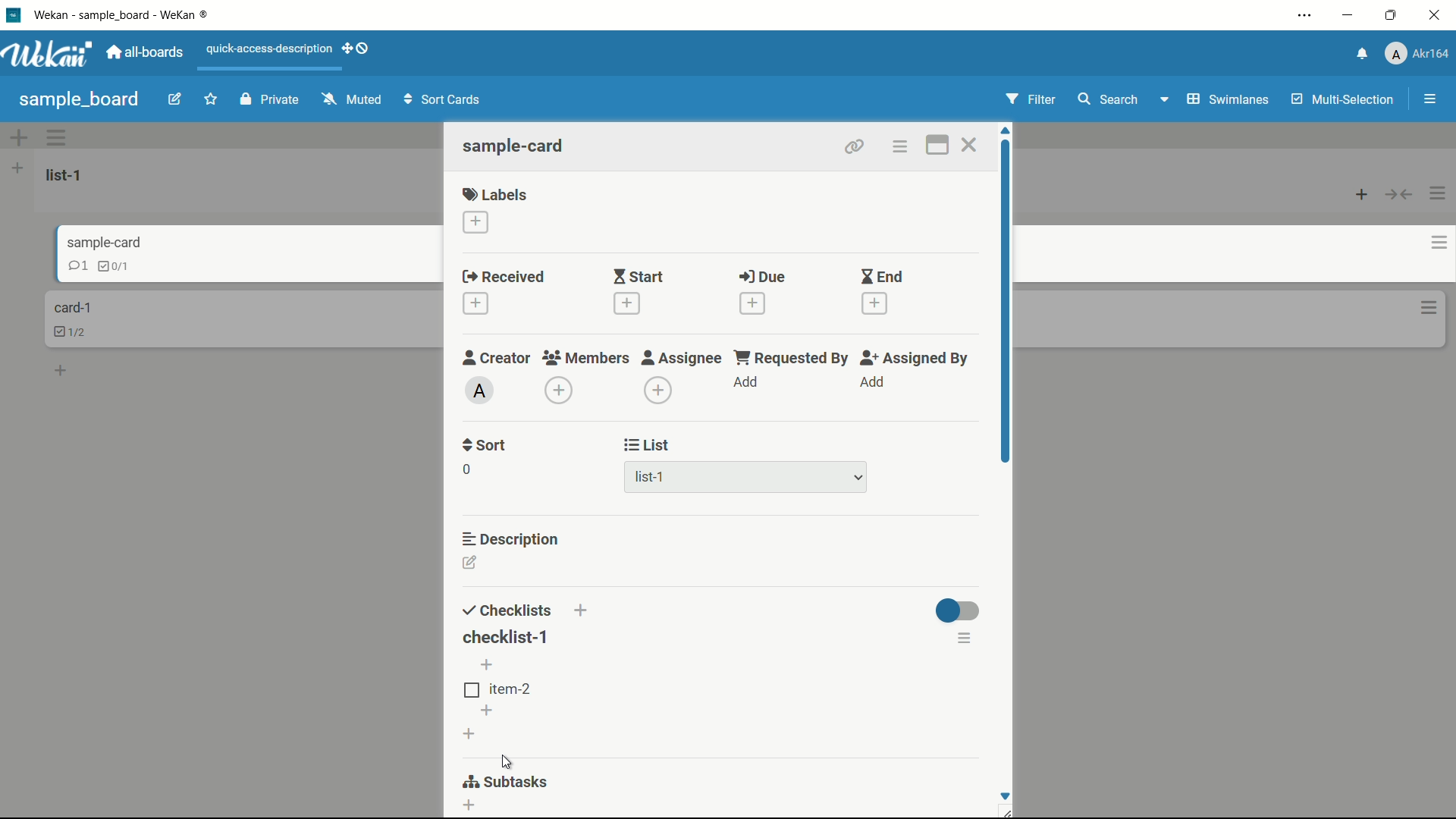 Image resolution: width=1456 pixels, height=819 pixels. What do you see at coordinates (120, 14) in the screenshot?
I see `app name` at bounding box center [120, 14].